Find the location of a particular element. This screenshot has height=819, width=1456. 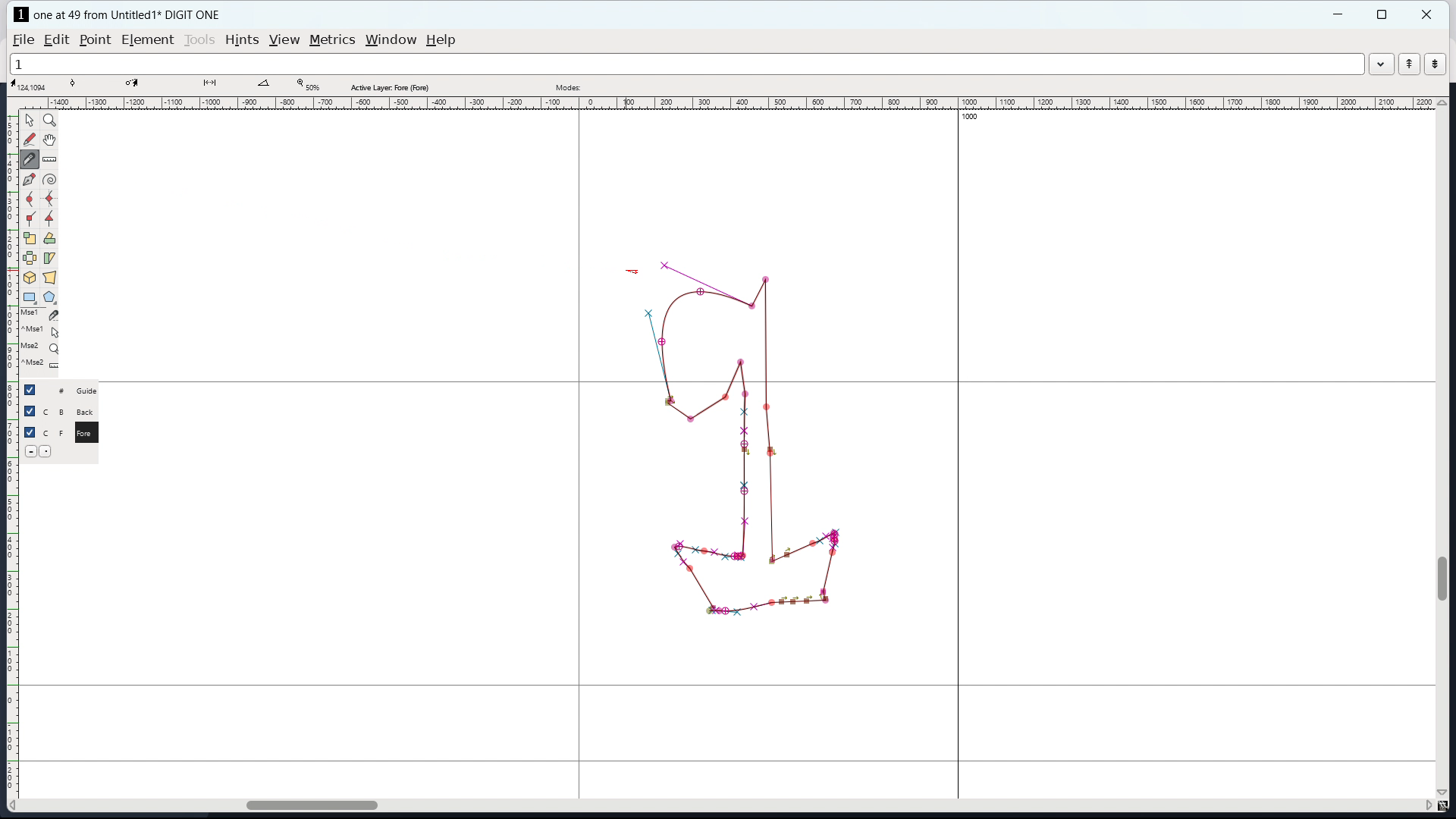

scroll down is located at coordinates (1443, 792).